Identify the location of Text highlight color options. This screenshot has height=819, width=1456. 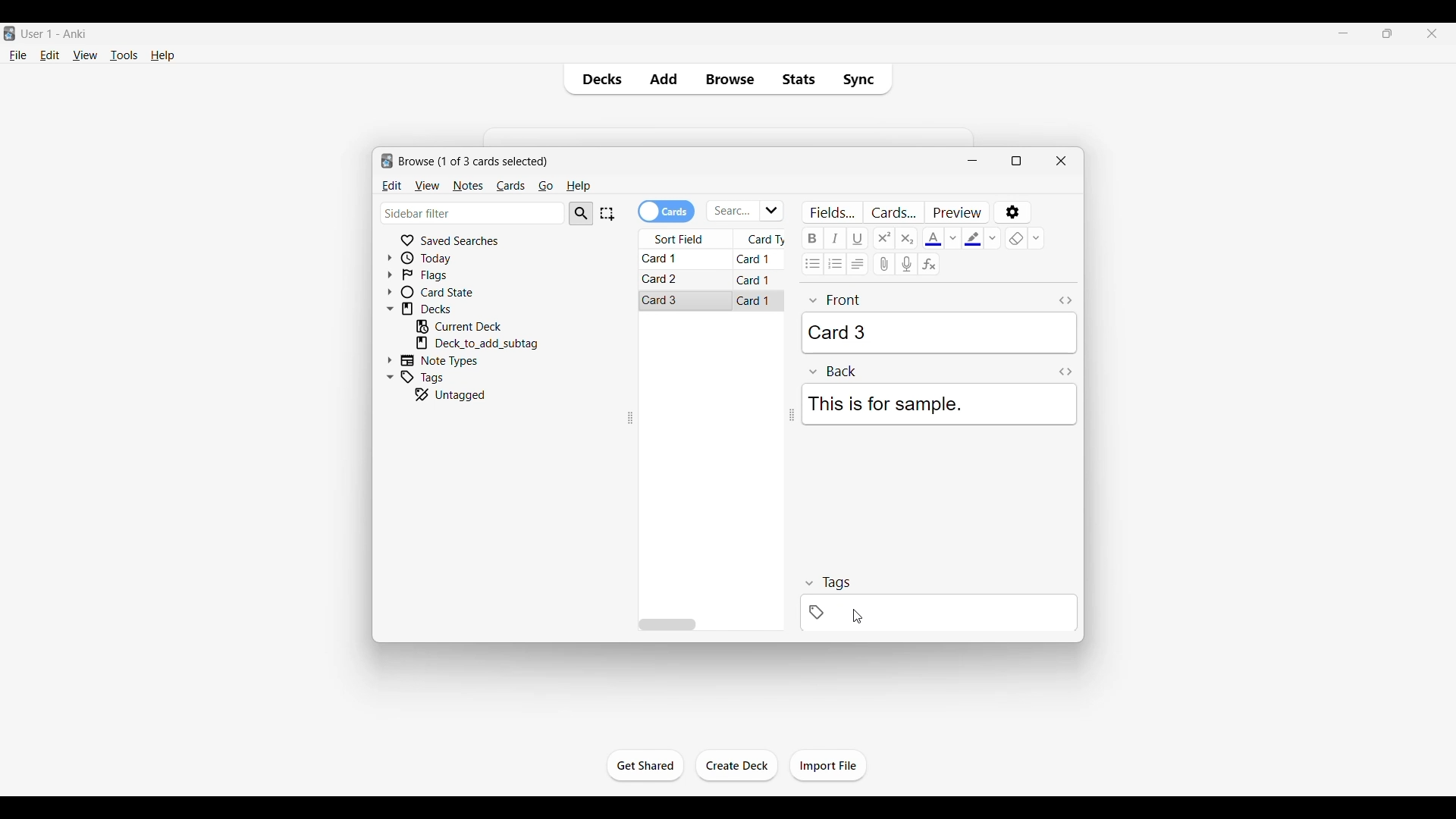
(993, 238).